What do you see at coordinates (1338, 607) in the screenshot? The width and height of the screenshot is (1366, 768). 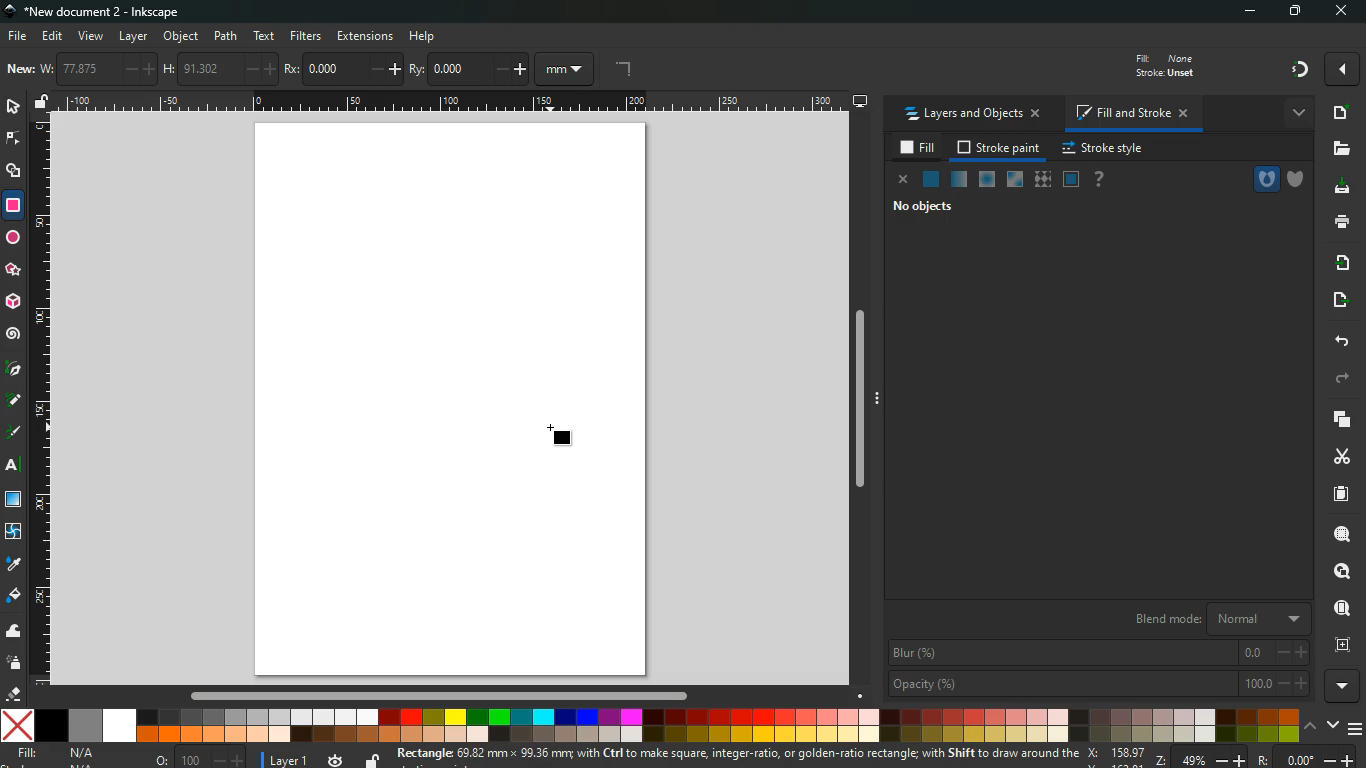 I see `find` at bounding box center [1338, 607].